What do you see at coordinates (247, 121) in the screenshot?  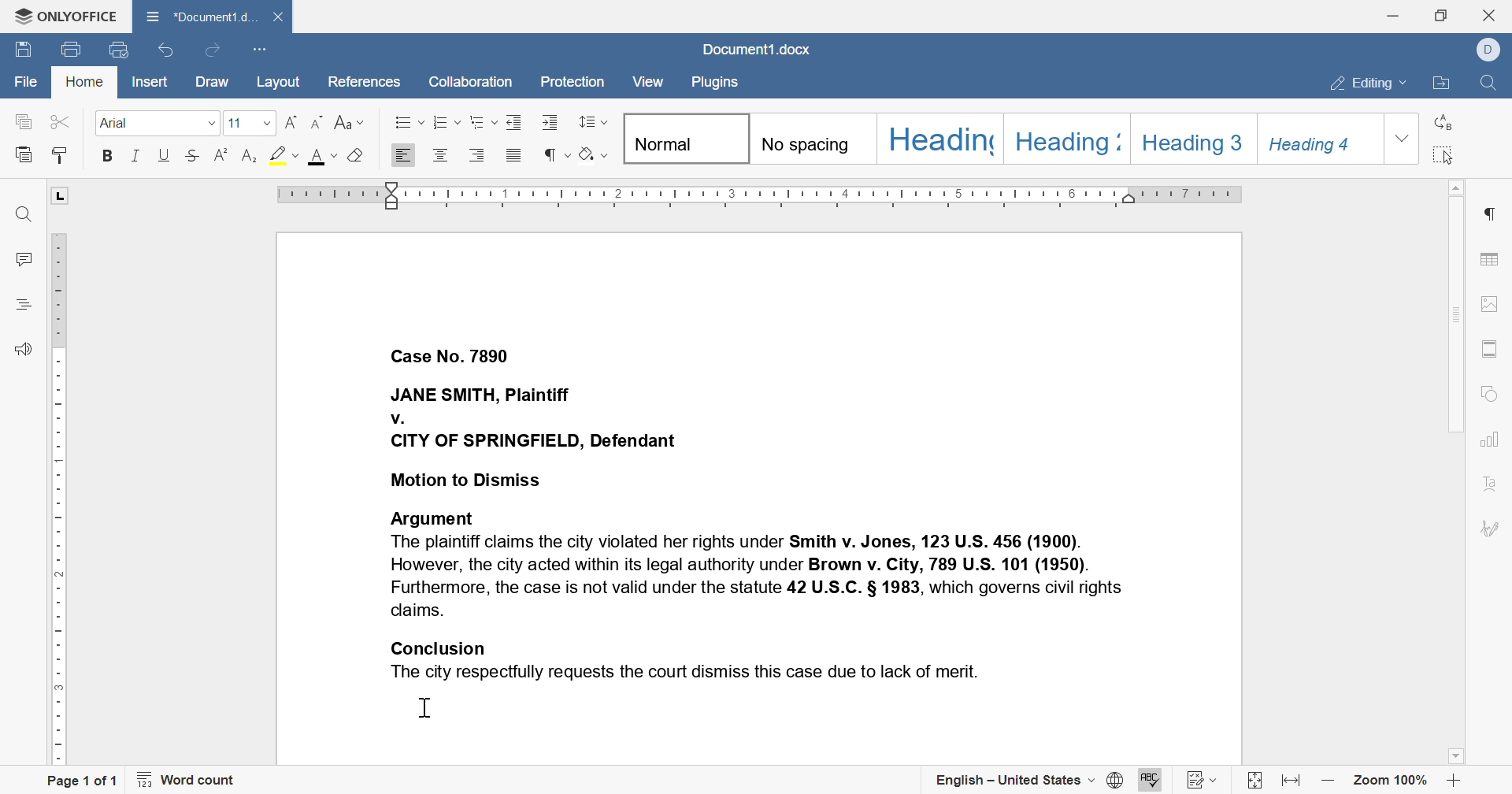 I see `font size` at bounding box center [247, 121].